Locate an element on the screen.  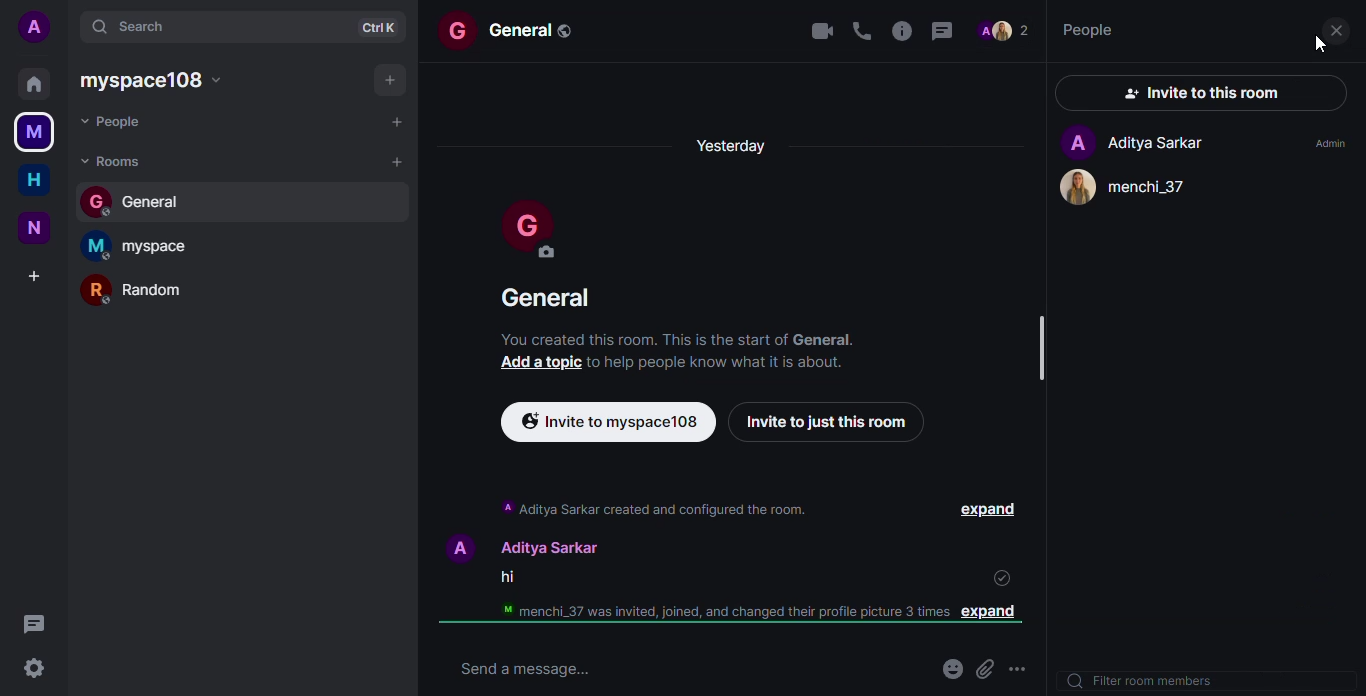
expand is located at coordinates (1001, 616).